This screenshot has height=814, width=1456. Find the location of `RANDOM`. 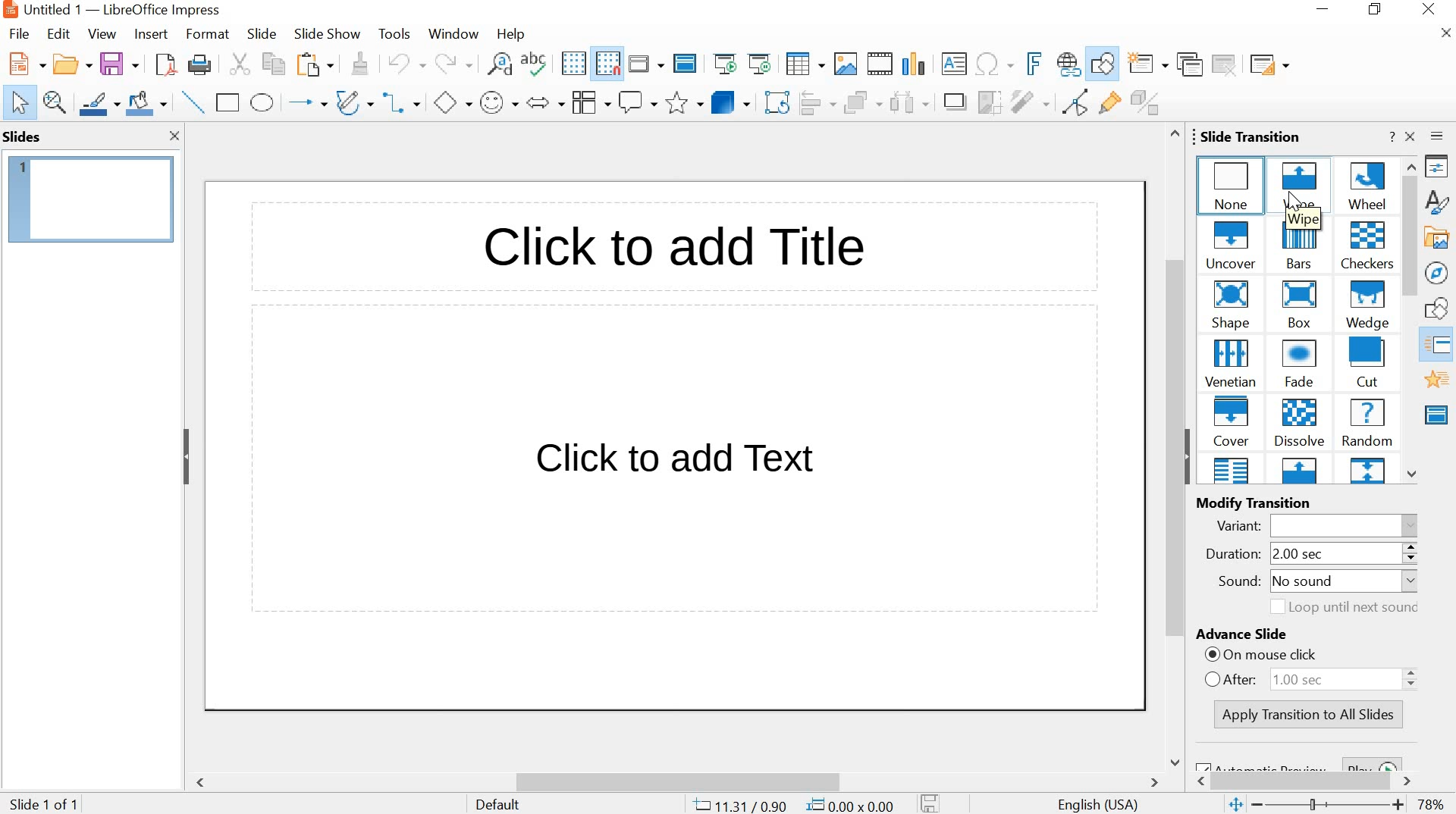

RANDOM is located at coordinates (1367, 423).